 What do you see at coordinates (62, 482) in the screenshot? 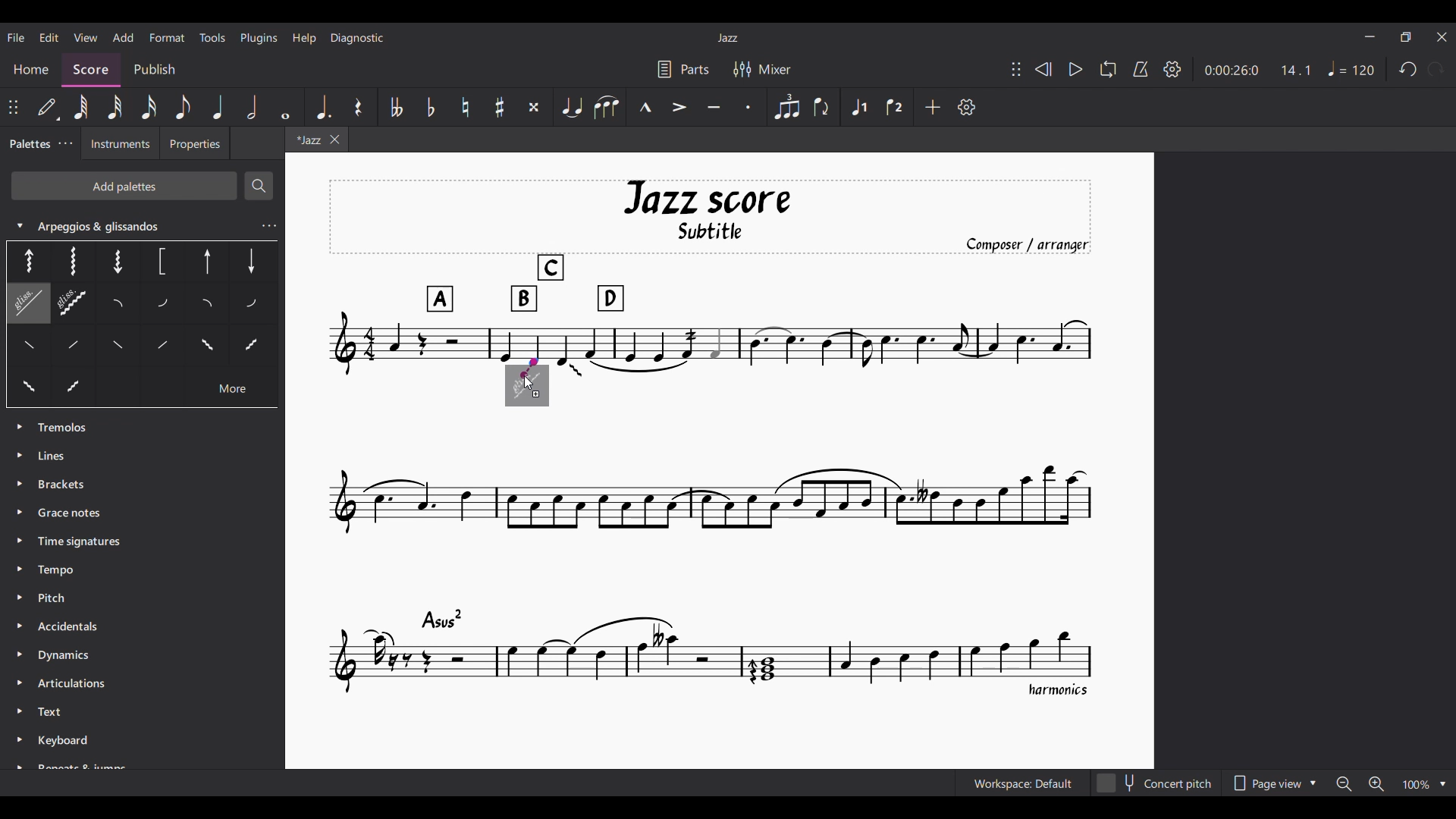
I see `Brackets` at bounding box center [62, 482].